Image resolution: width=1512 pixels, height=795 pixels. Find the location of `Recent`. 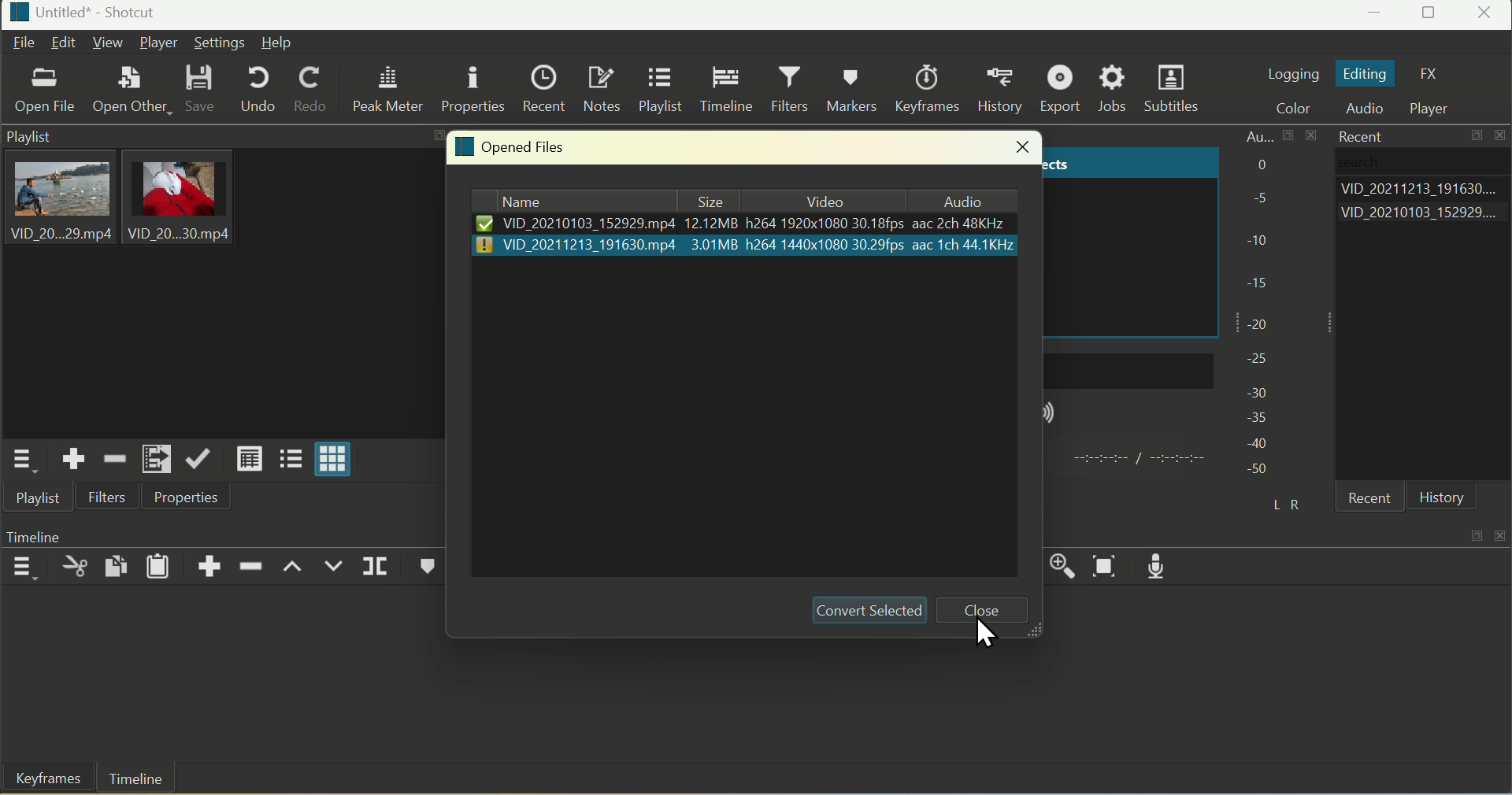

Recent is located at coordinates (1356, 135).